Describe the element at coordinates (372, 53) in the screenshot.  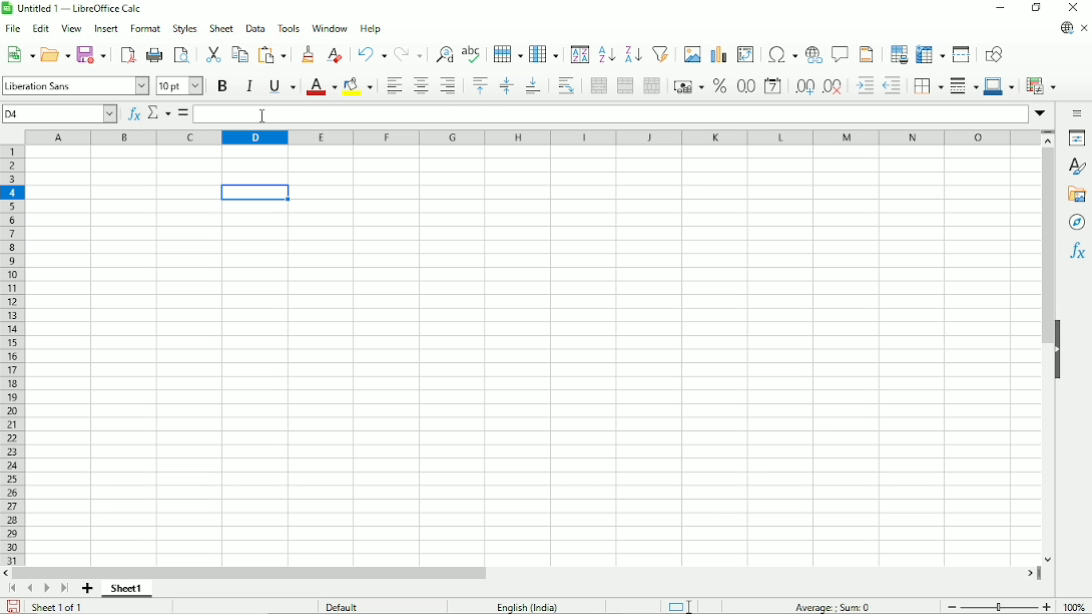
I see `Undo` at that location.